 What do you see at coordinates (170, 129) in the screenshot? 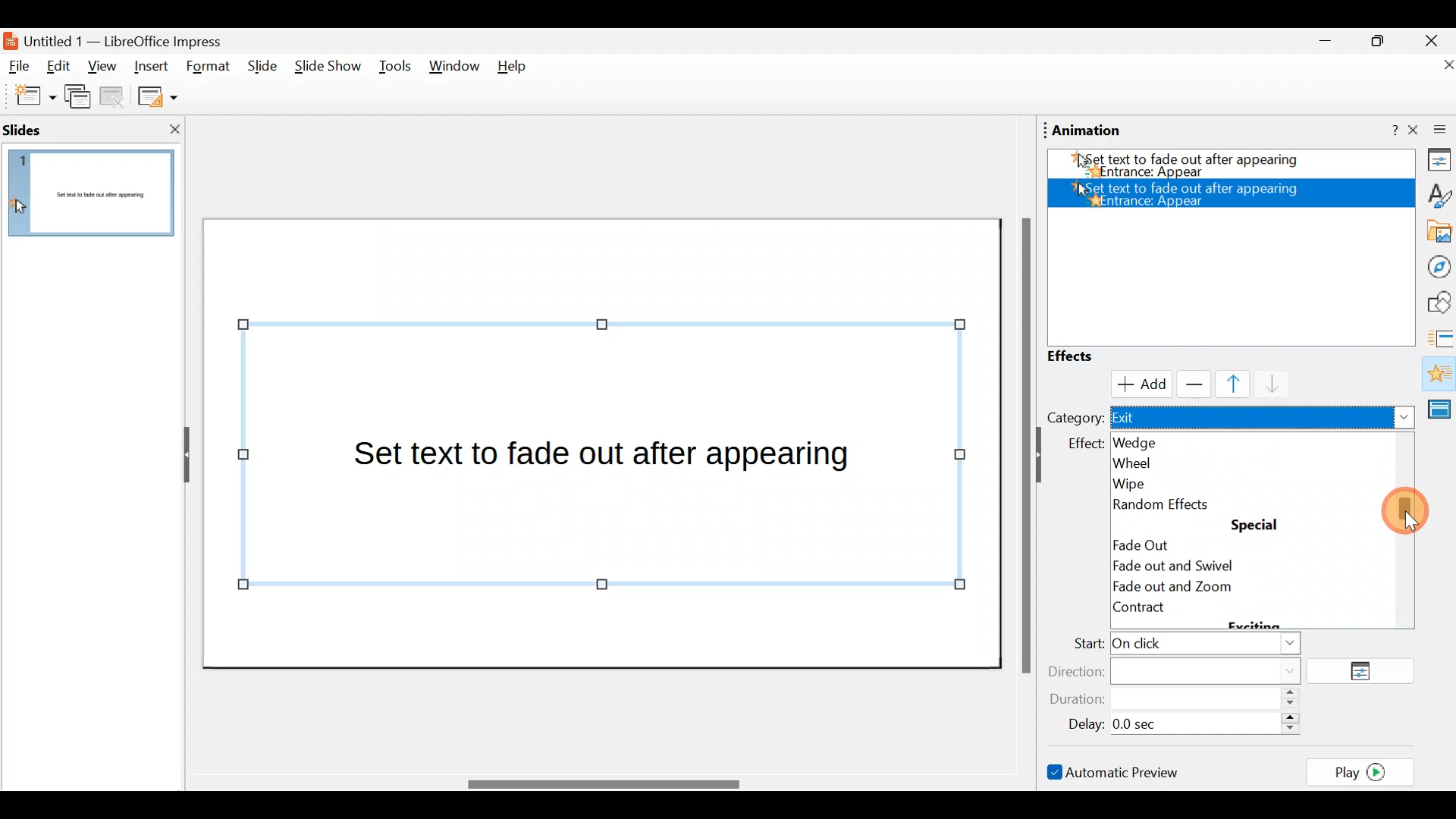
I see `Close slide pane` at bounding box center [170, 129].